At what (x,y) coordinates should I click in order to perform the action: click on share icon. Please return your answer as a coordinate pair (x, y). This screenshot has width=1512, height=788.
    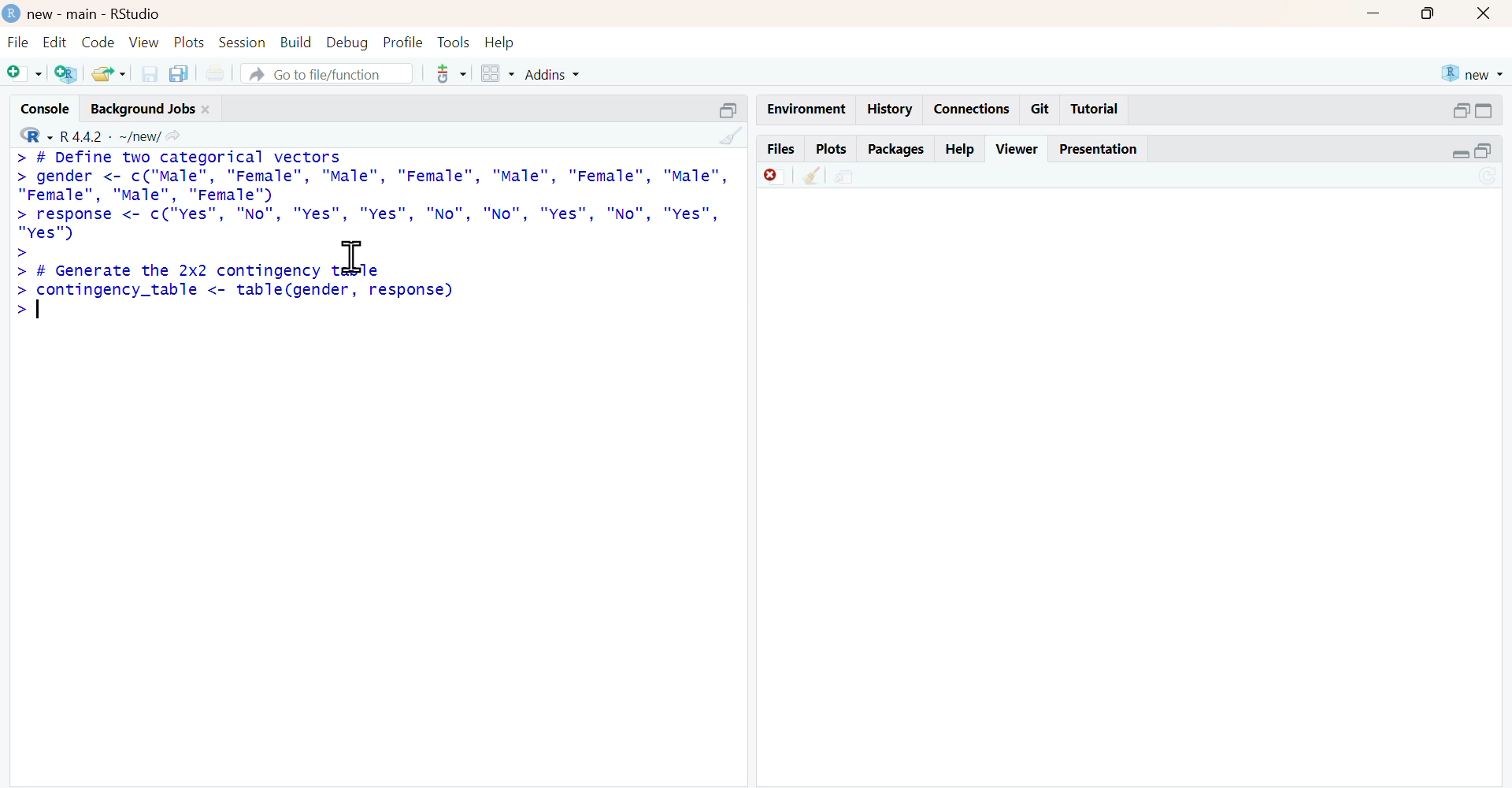
    Looking at the image, I should click on (175, 137).